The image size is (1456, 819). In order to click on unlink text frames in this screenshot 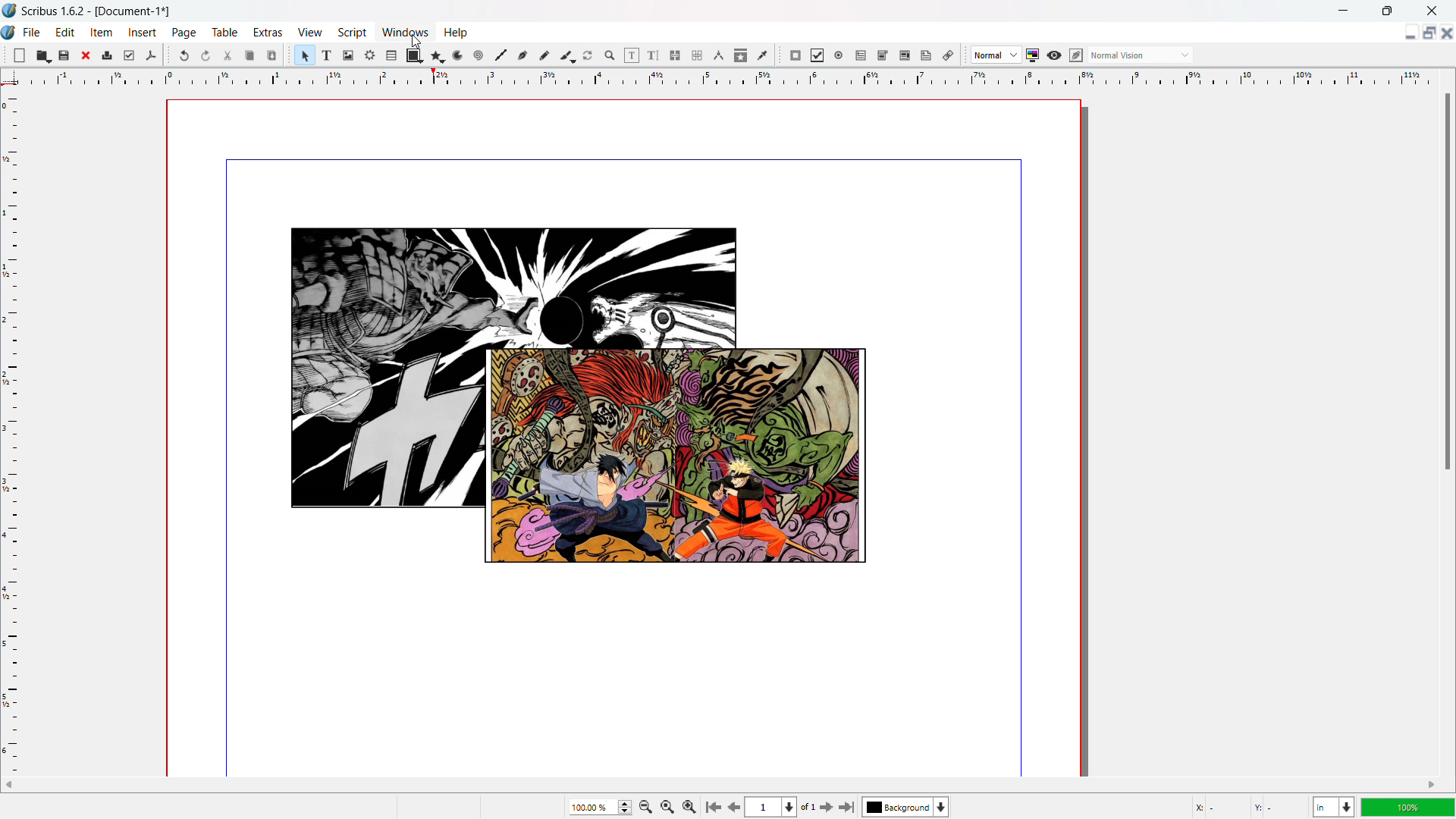, I will do `click(697, 55)`.